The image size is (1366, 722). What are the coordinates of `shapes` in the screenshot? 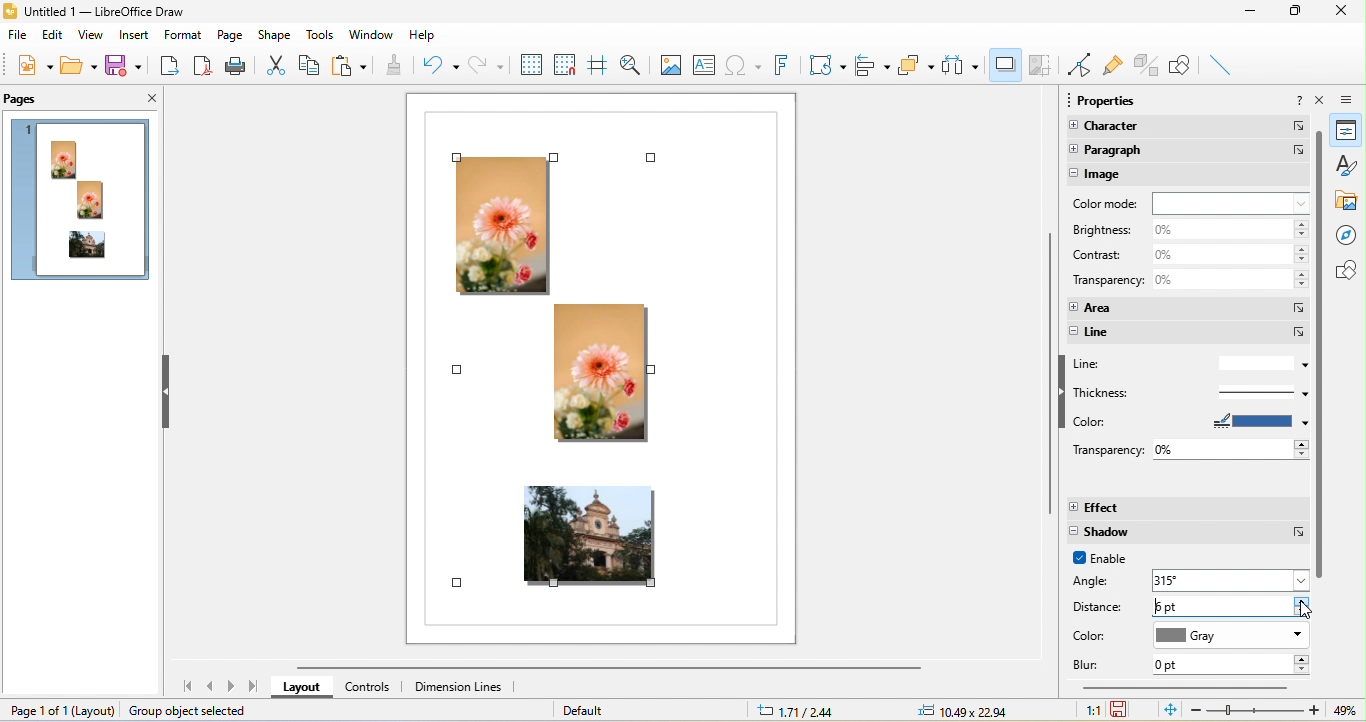 It's located at (1351, 271).